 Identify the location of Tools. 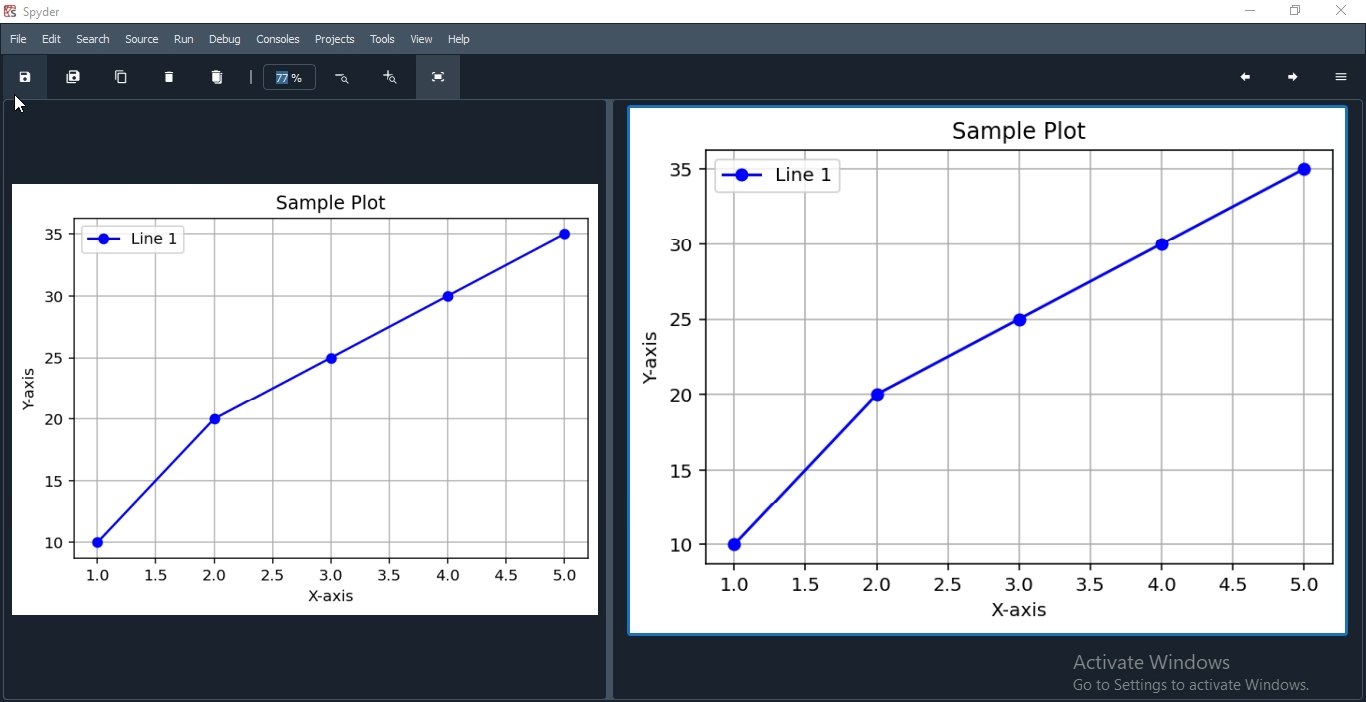
(381, 38).